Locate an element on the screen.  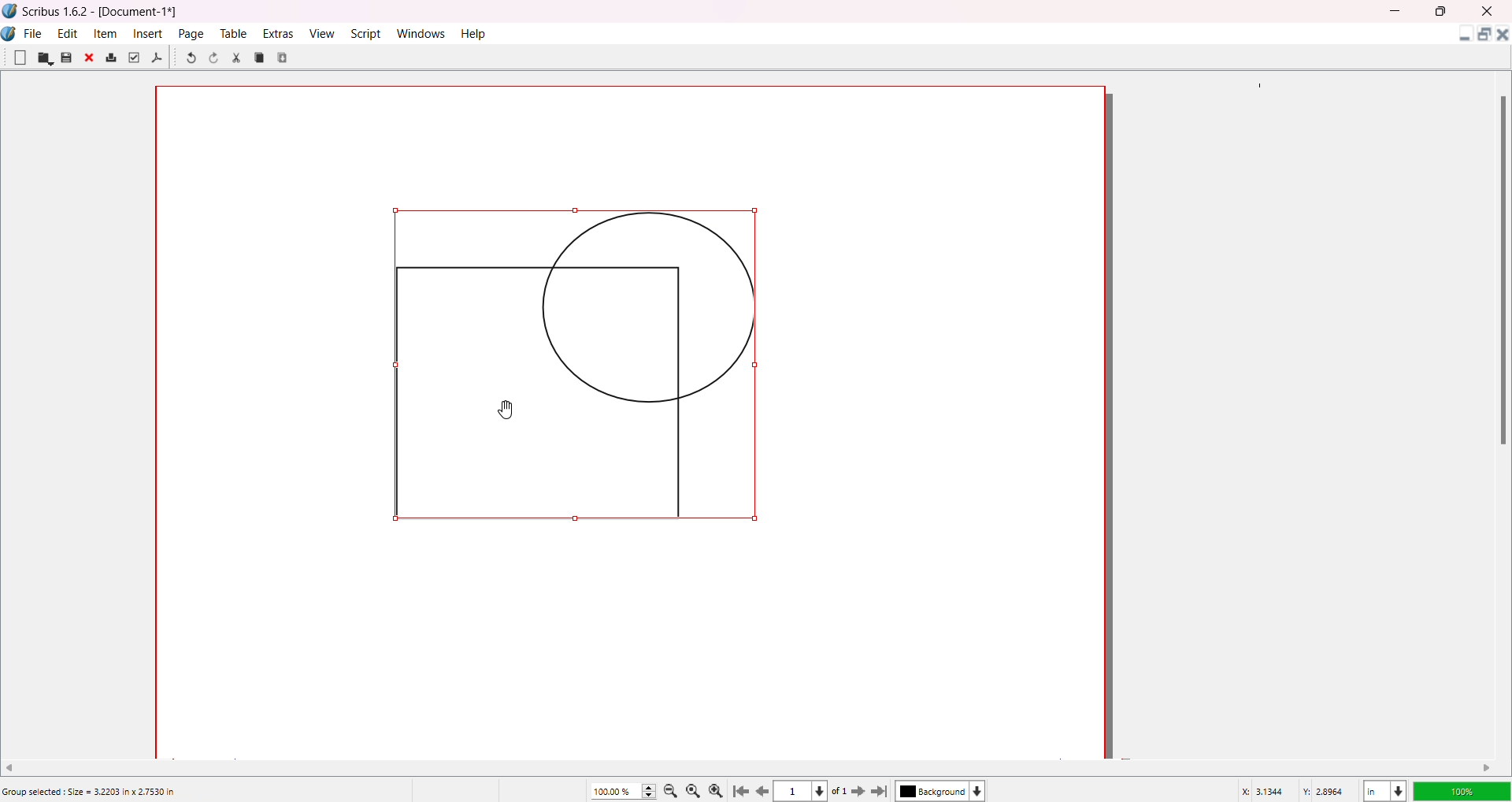
Script is located at coordinates (368, 32).